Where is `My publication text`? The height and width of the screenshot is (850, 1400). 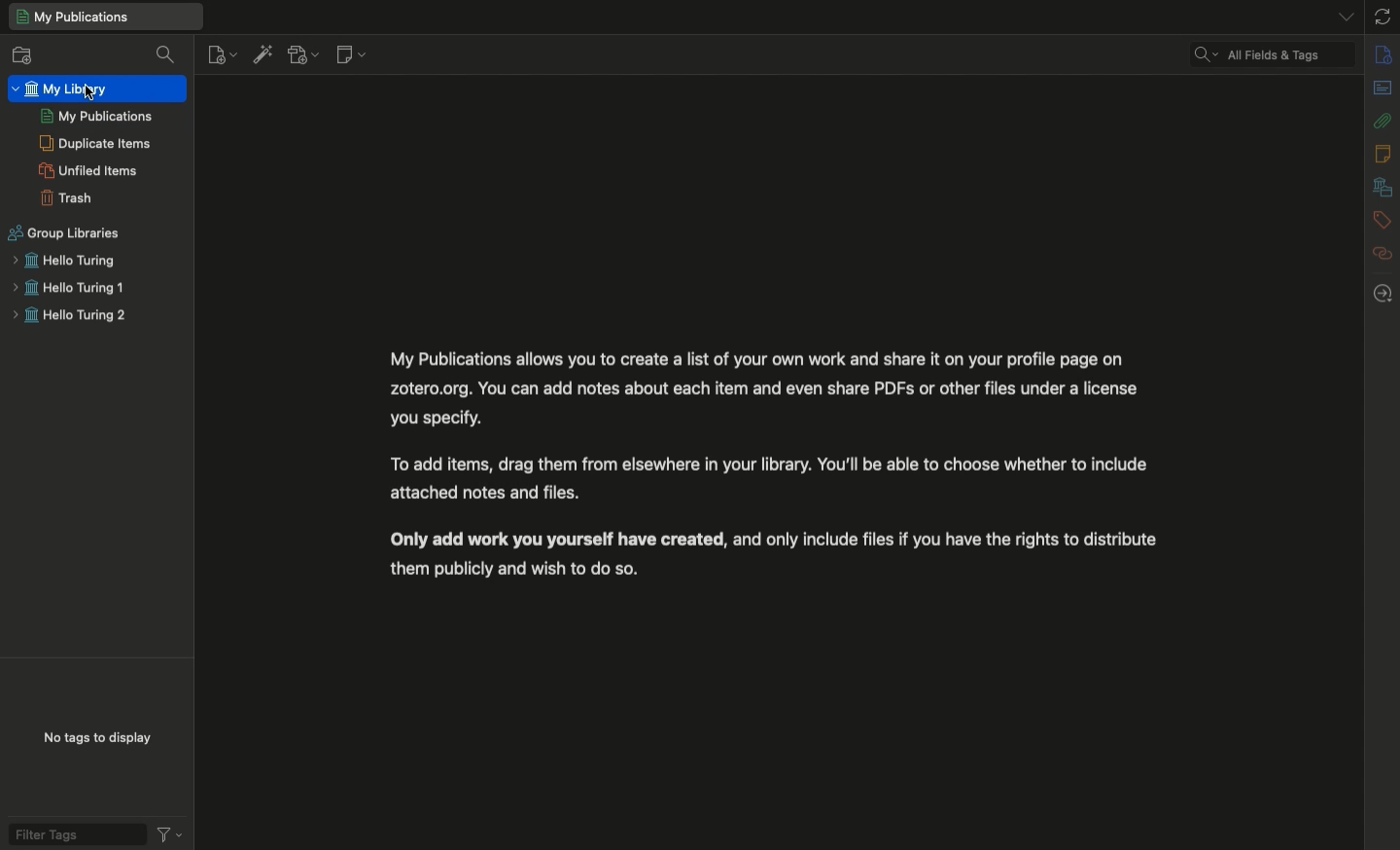 My publication text is located at coordinates (839, 471).